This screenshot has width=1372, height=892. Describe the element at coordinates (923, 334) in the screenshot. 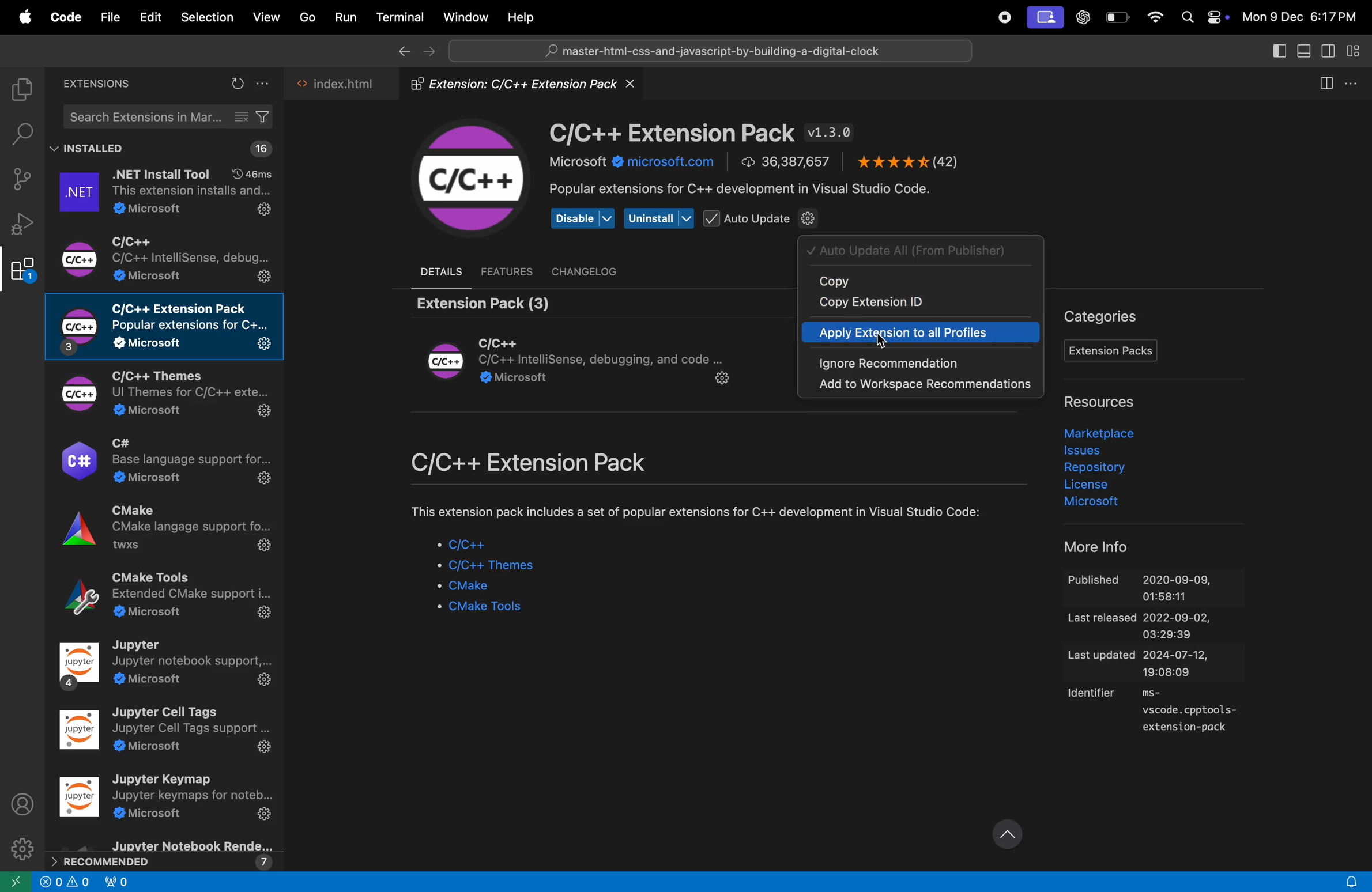

I see `apply extension to all profiles` at that location.